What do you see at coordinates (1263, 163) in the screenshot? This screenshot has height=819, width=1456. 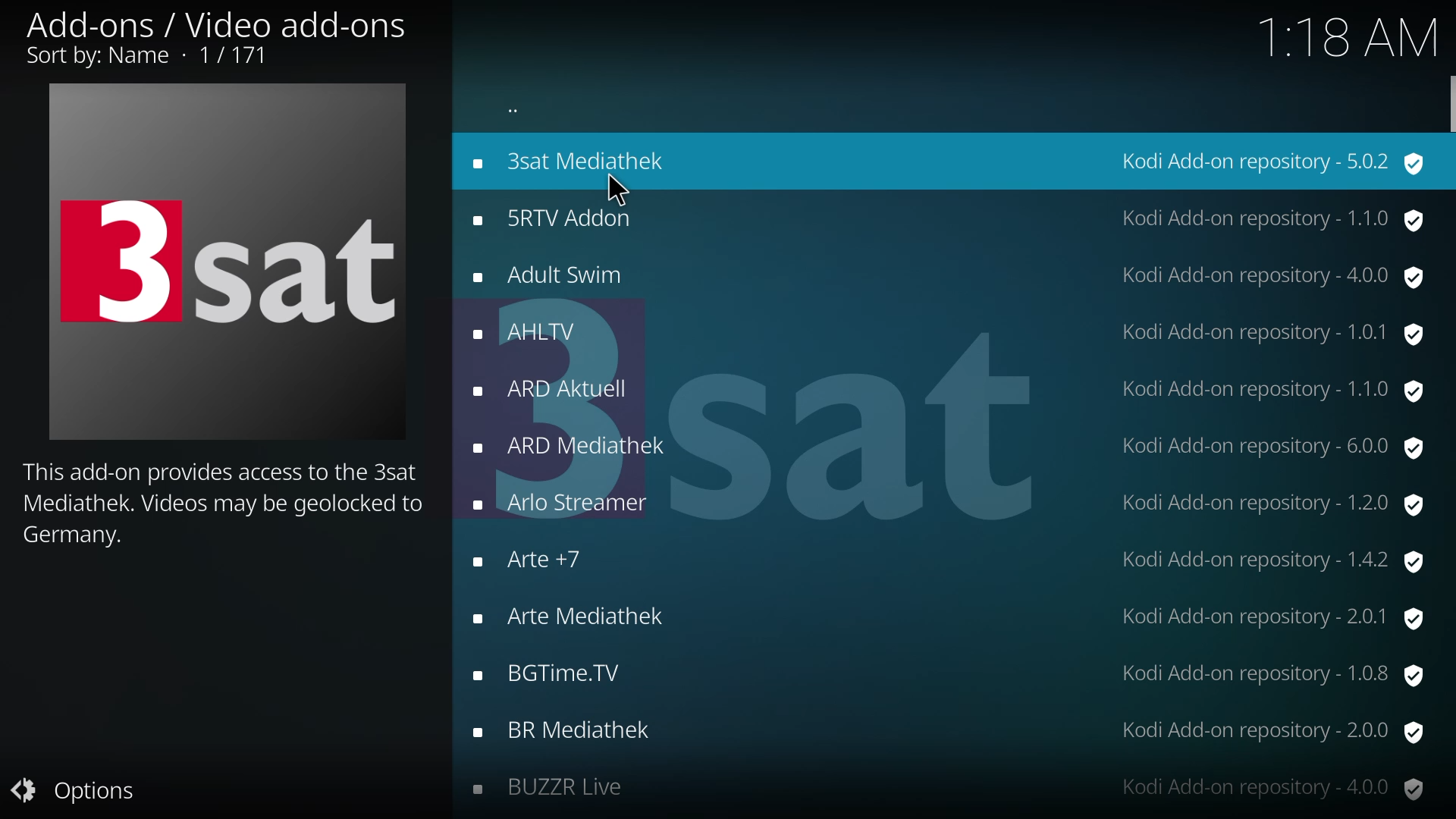 I see `version` at bounding box center [1263, 163].